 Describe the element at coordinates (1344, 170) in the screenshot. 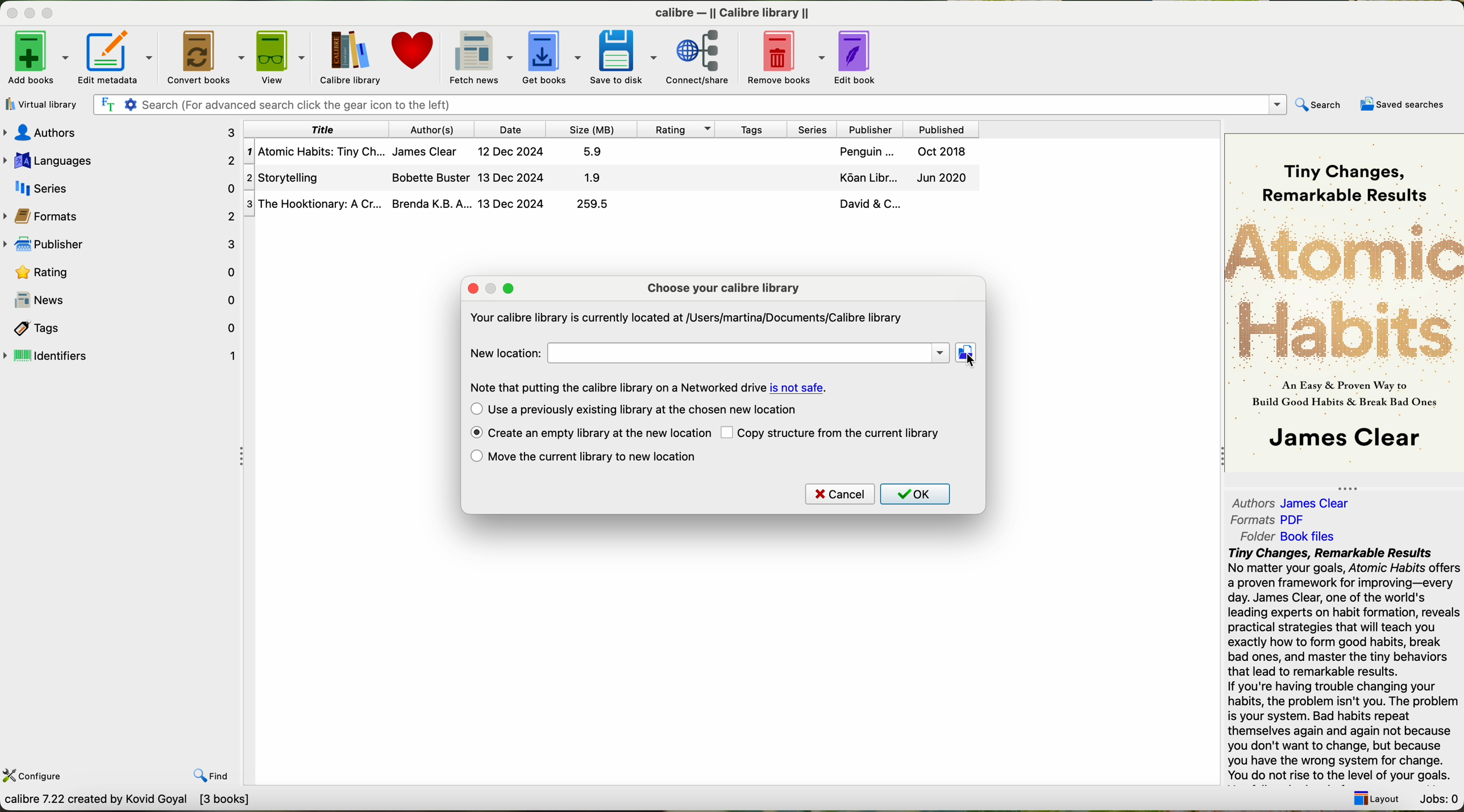

I see `Tiny Changes, Remarkable Results` at that location.